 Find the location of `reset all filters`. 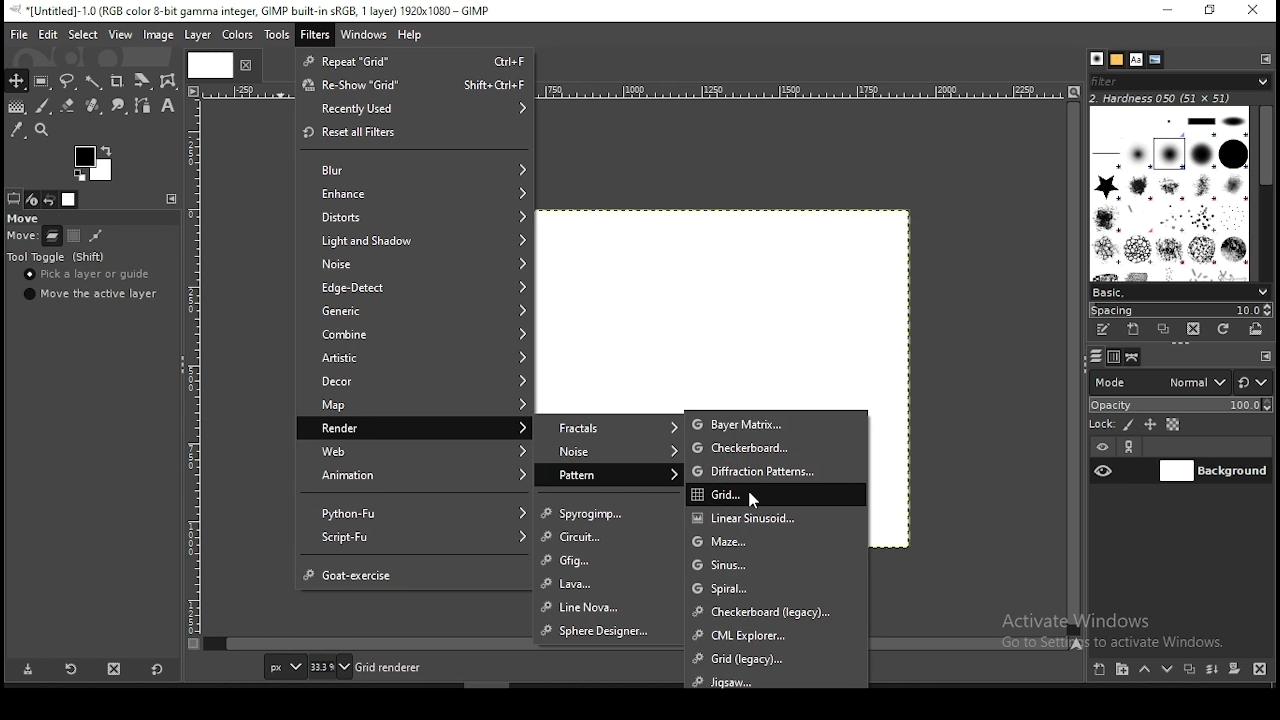

reset all filters is located at coordinates (415, 134).